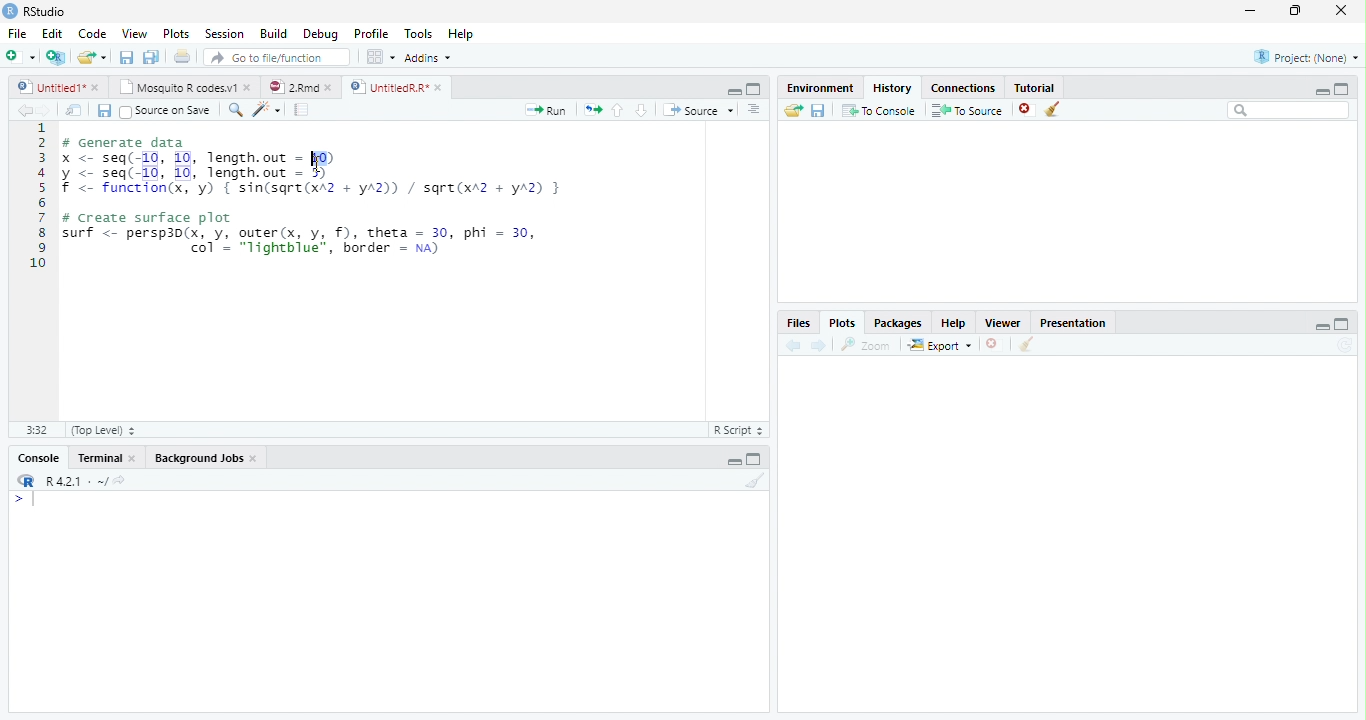  Describe the element at coordinates (254, 458) in the screenshot. I see `Close` at that location.